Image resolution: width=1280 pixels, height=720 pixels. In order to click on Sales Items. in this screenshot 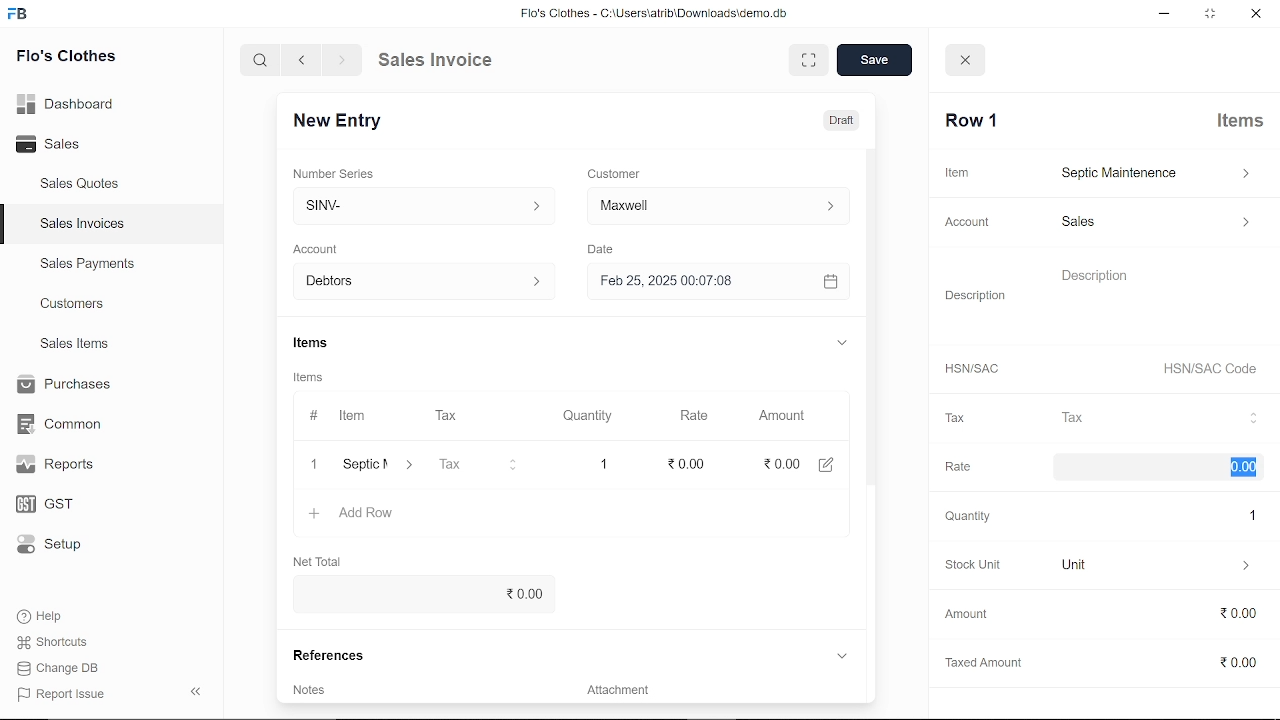, I will do `click(76, 345)`.